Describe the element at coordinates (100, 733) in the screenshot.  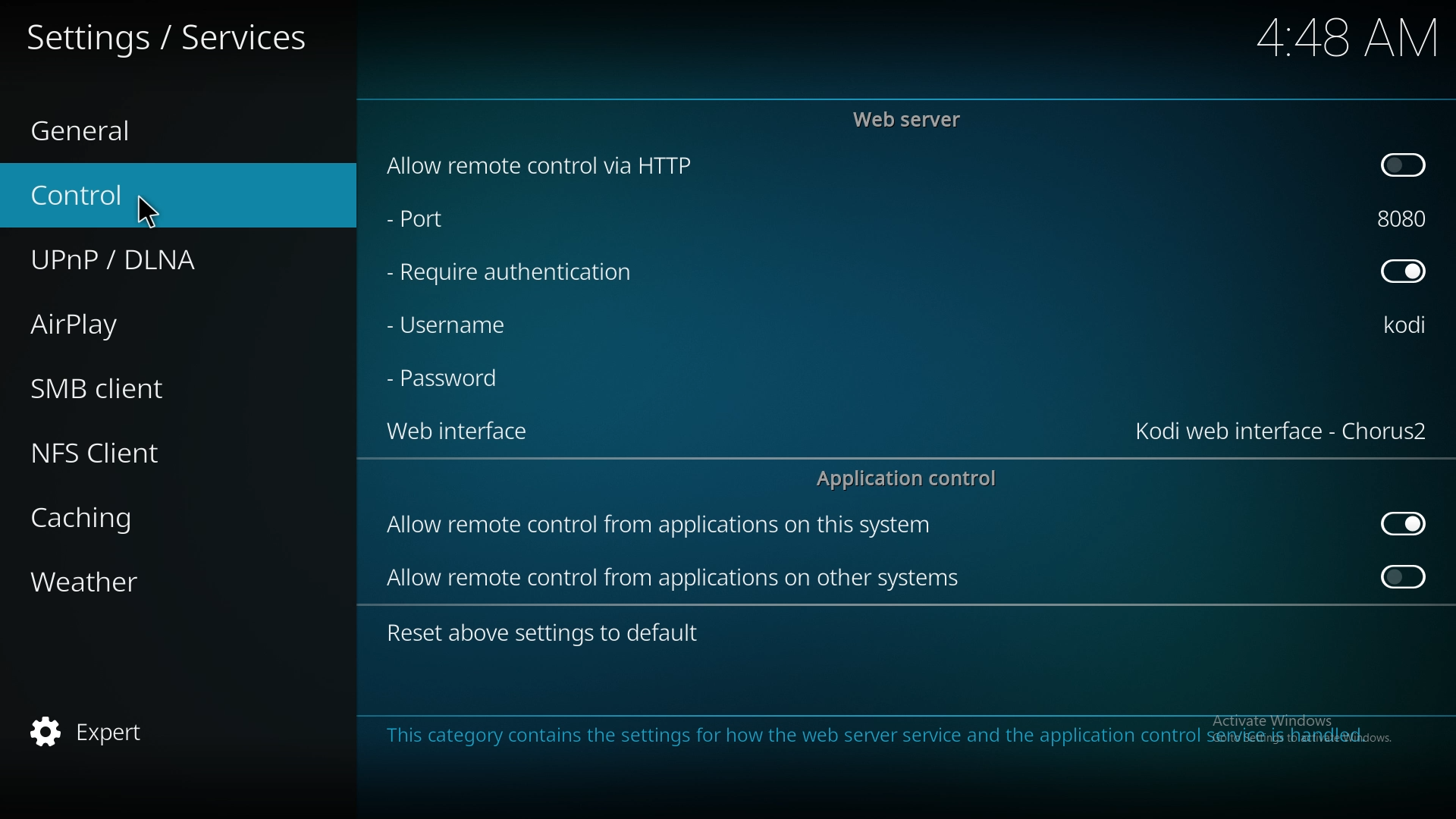
I see `expert` at that location.